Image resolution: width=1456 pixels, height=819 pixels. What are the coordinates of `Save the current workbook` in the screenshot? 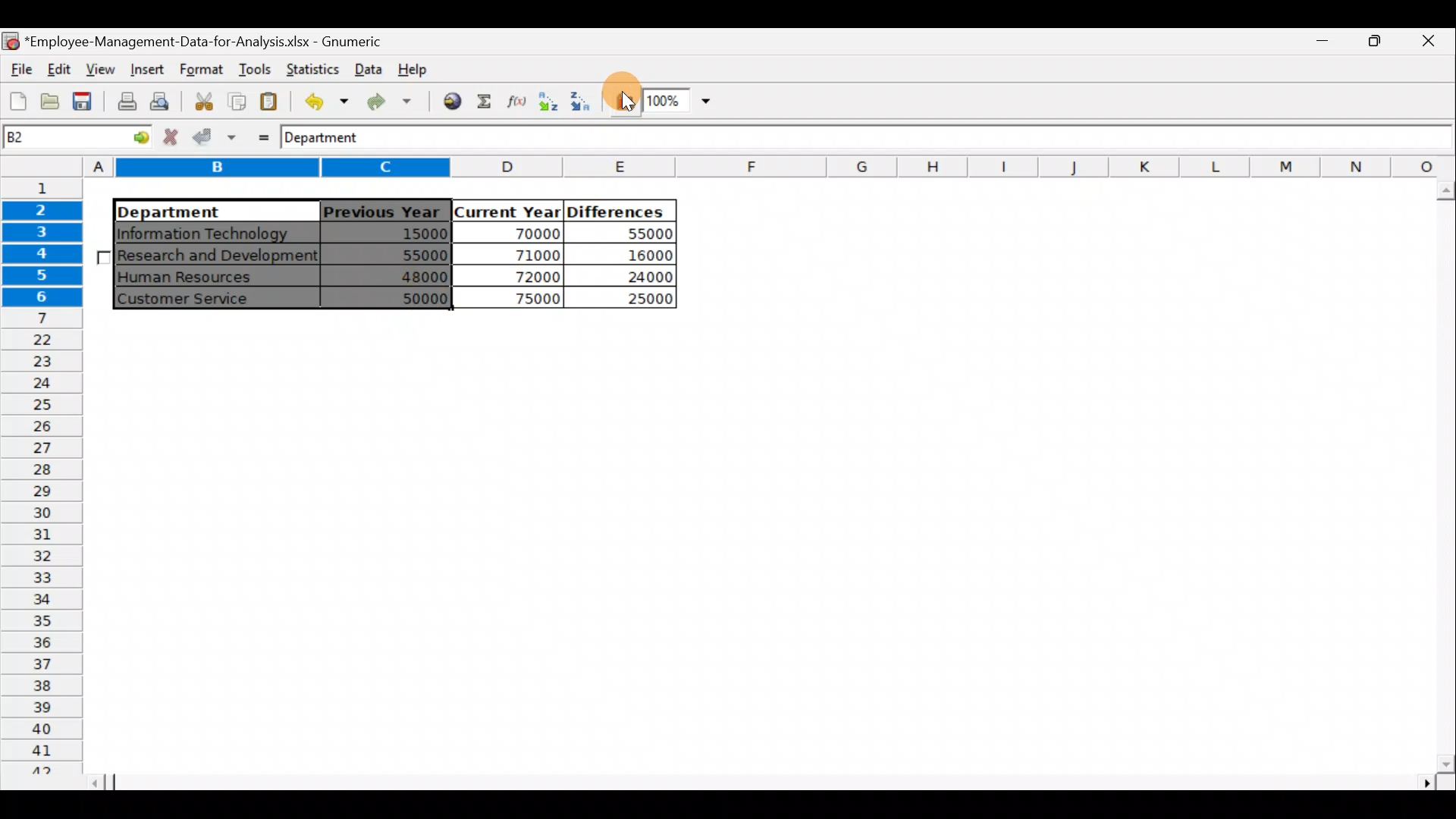 It's located at (83, 102).